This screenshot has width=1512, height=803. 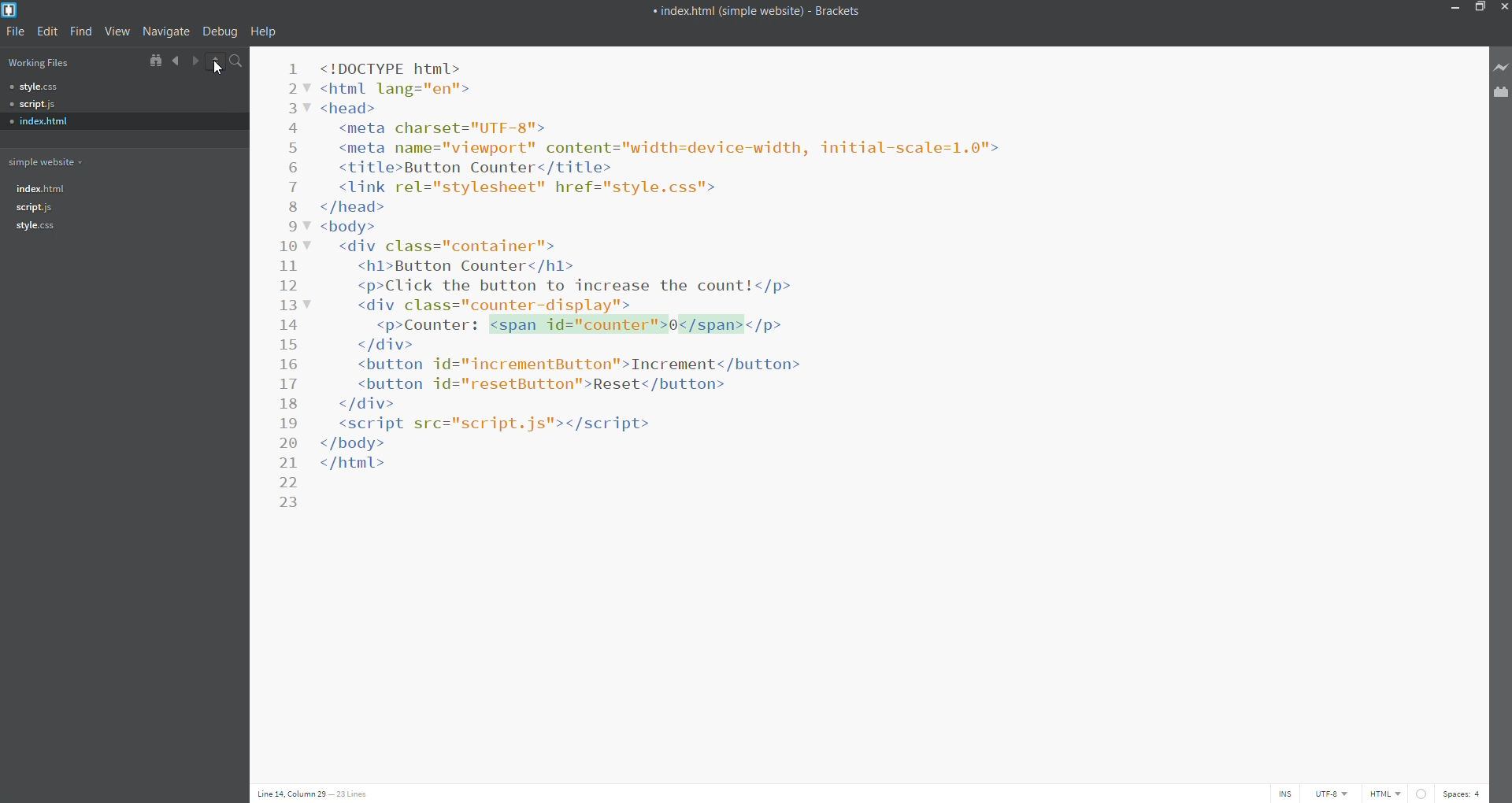 I want to click on cursor, so click(x=220, y=70).